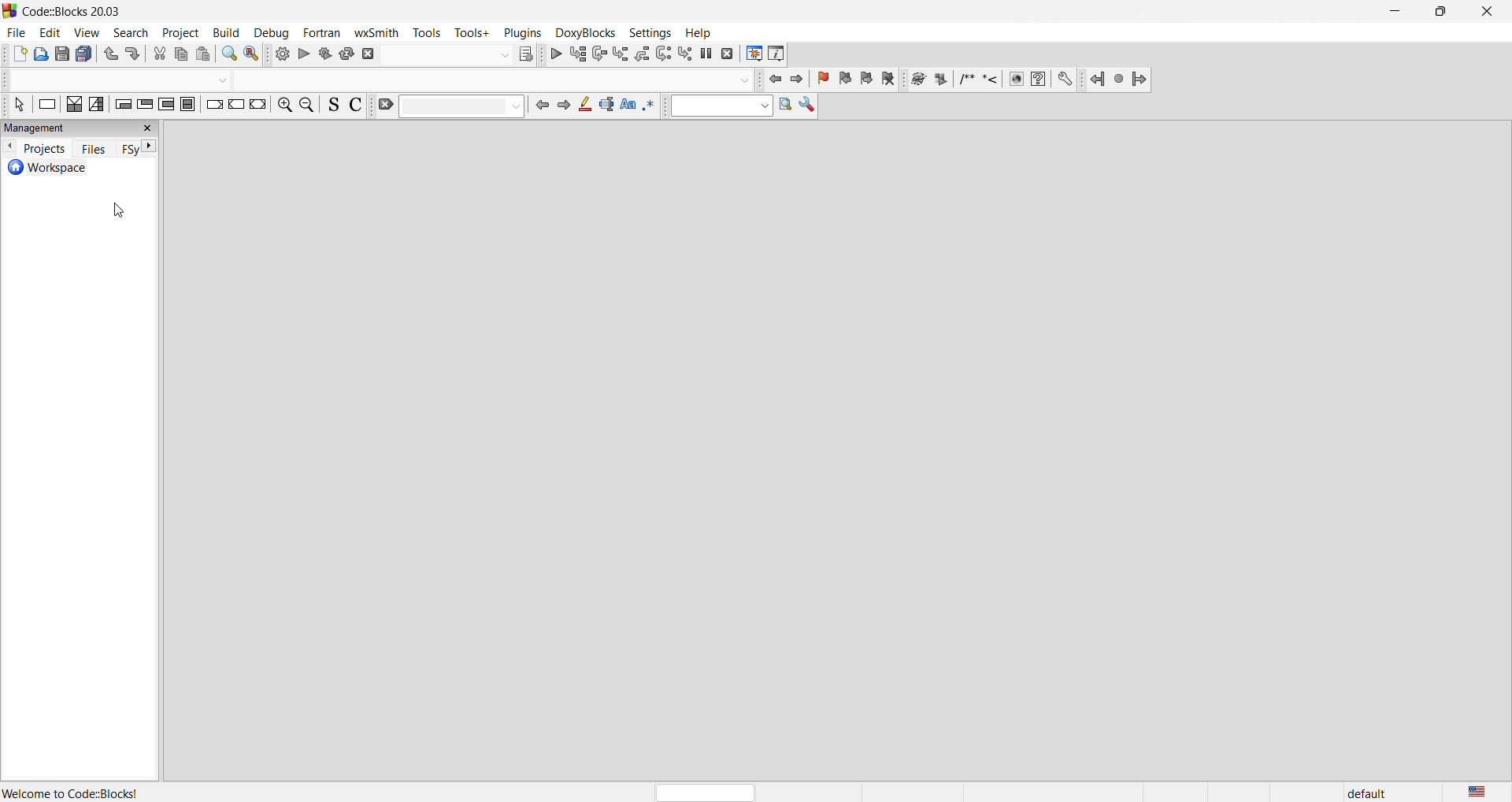 This screenshot has width=1512, height=802. I want to click on edit, so click(51, 33).